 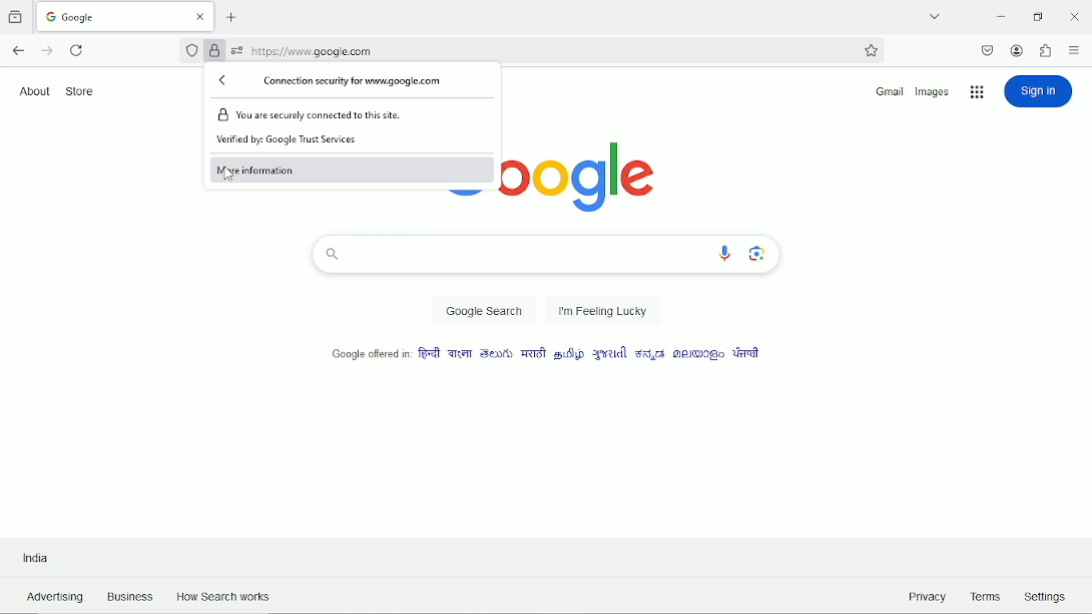 What do you see at coordinates (1038, 16) in the screenshot?
I see `Restore down` at bounding box center [1038, 16].